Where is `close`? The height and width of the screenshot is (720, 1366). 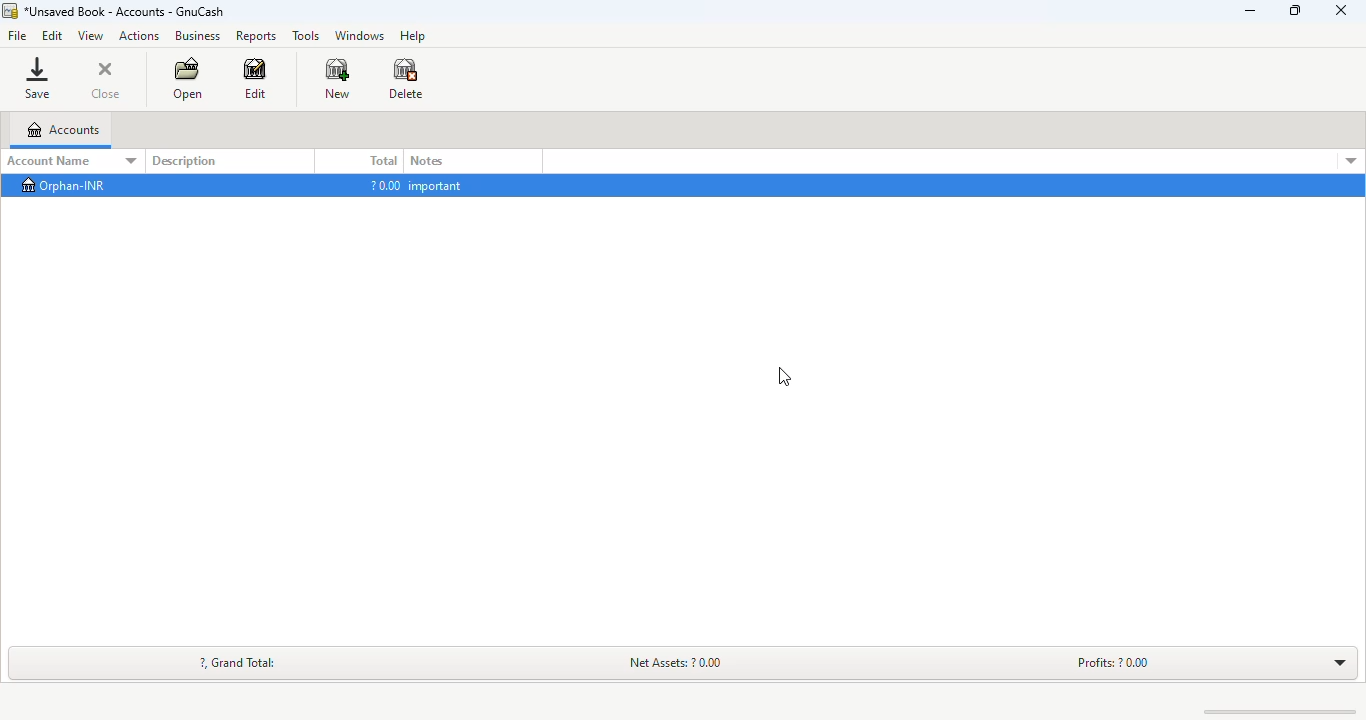 close is located at coordinates (105, 80).